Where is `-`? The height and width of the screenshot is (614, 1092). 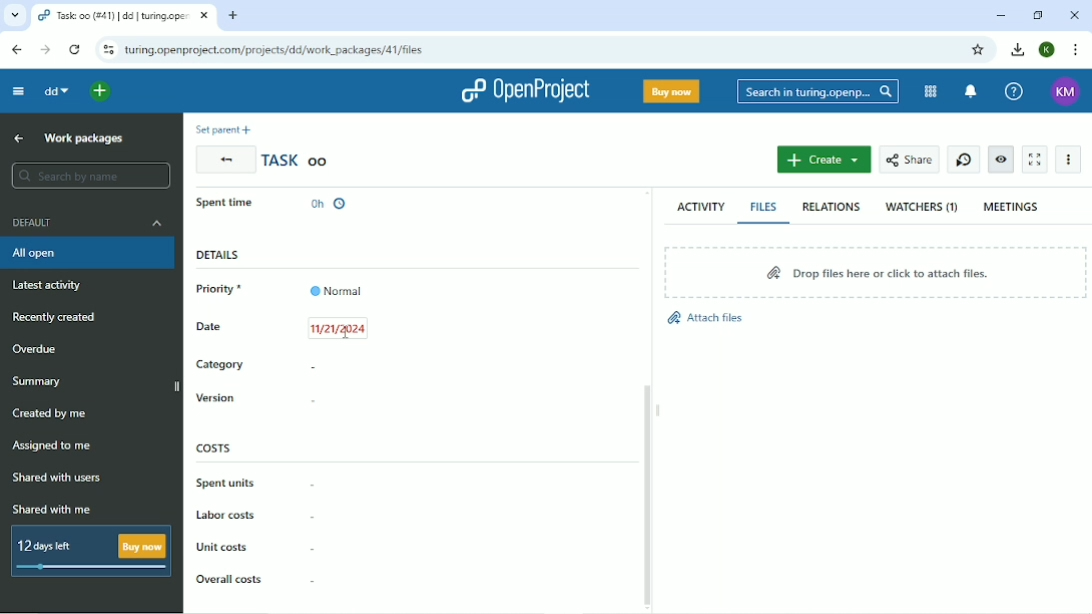 - is located at coordinates (312, 546).